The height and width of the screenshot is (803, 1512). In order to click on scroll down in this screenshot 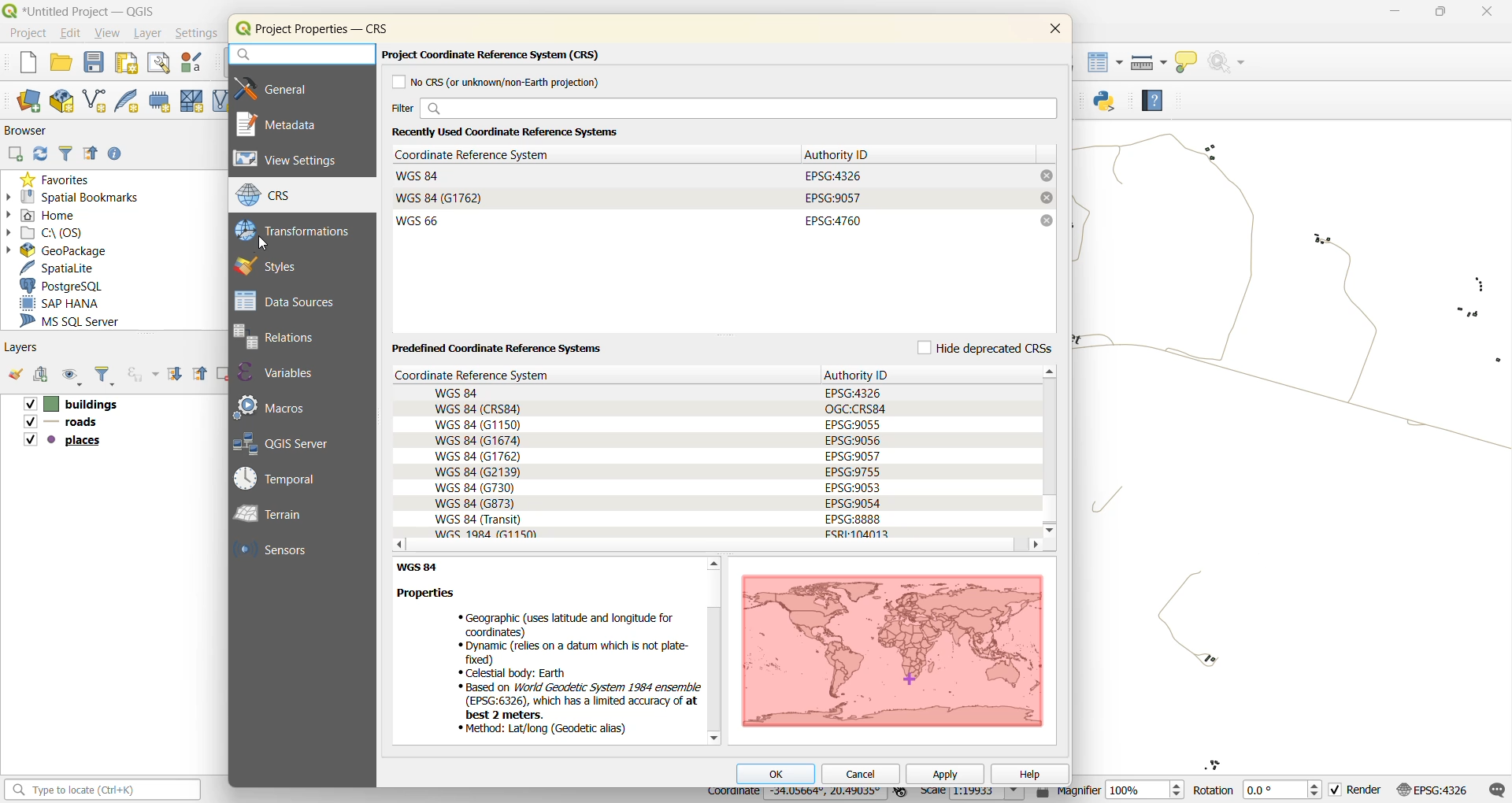, I will do `click(1048, 531)`.